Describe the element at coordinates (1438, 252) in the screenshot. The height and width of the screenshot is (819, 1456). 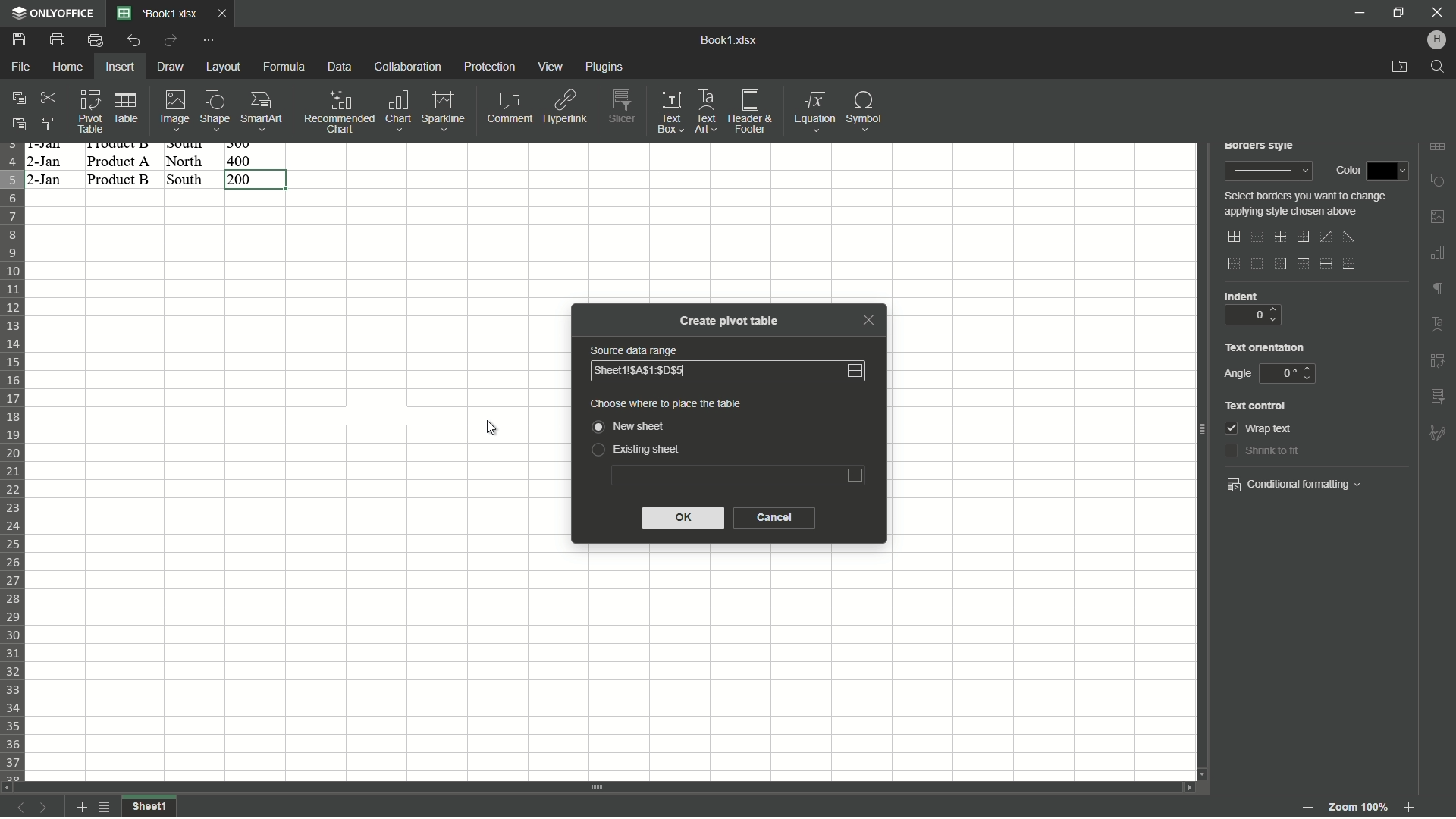
I see `insert chart` at that location.